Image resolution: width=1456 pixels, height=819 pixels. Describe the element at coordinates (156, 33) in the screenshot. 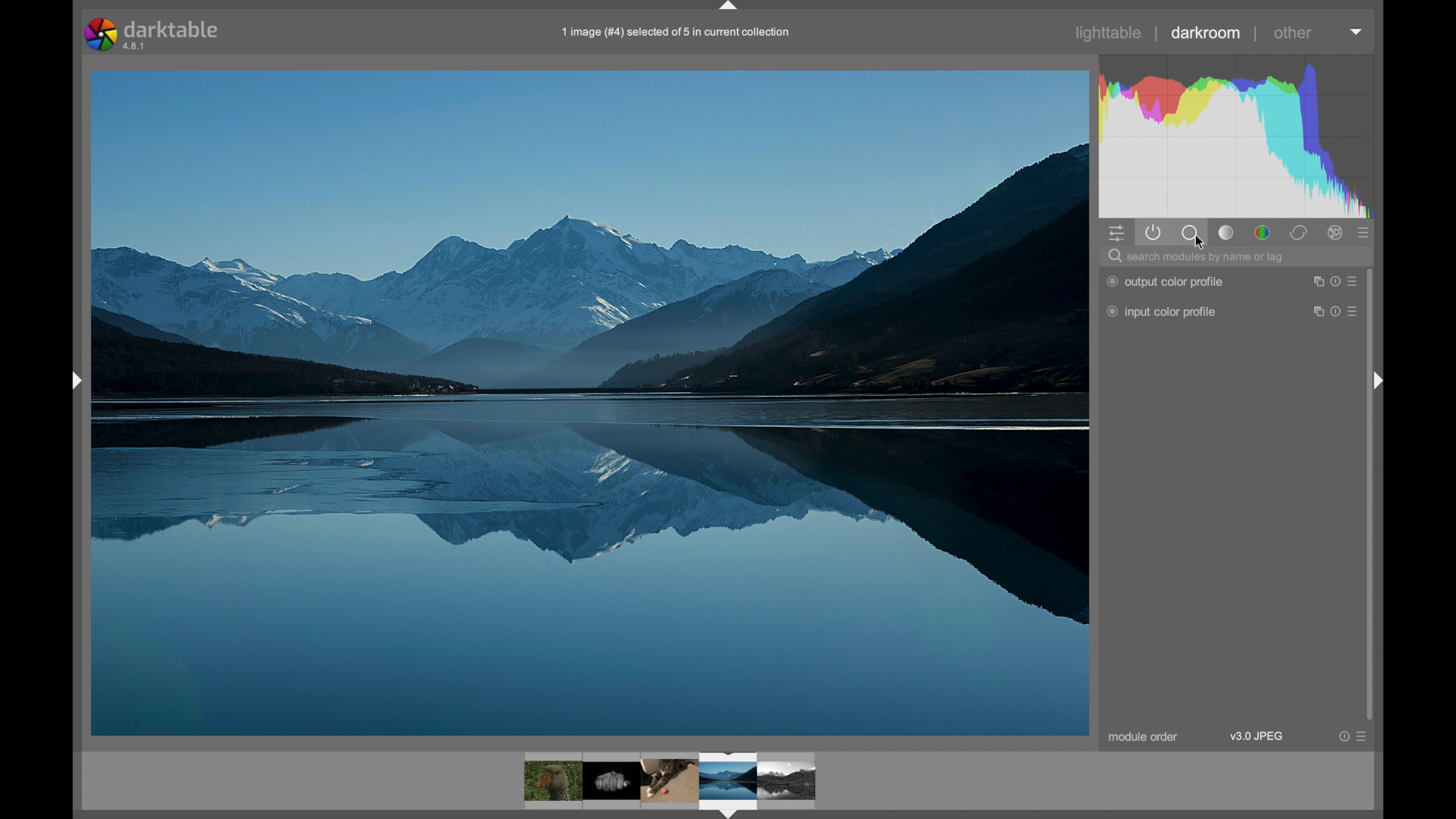

I see `darktable` at that location.